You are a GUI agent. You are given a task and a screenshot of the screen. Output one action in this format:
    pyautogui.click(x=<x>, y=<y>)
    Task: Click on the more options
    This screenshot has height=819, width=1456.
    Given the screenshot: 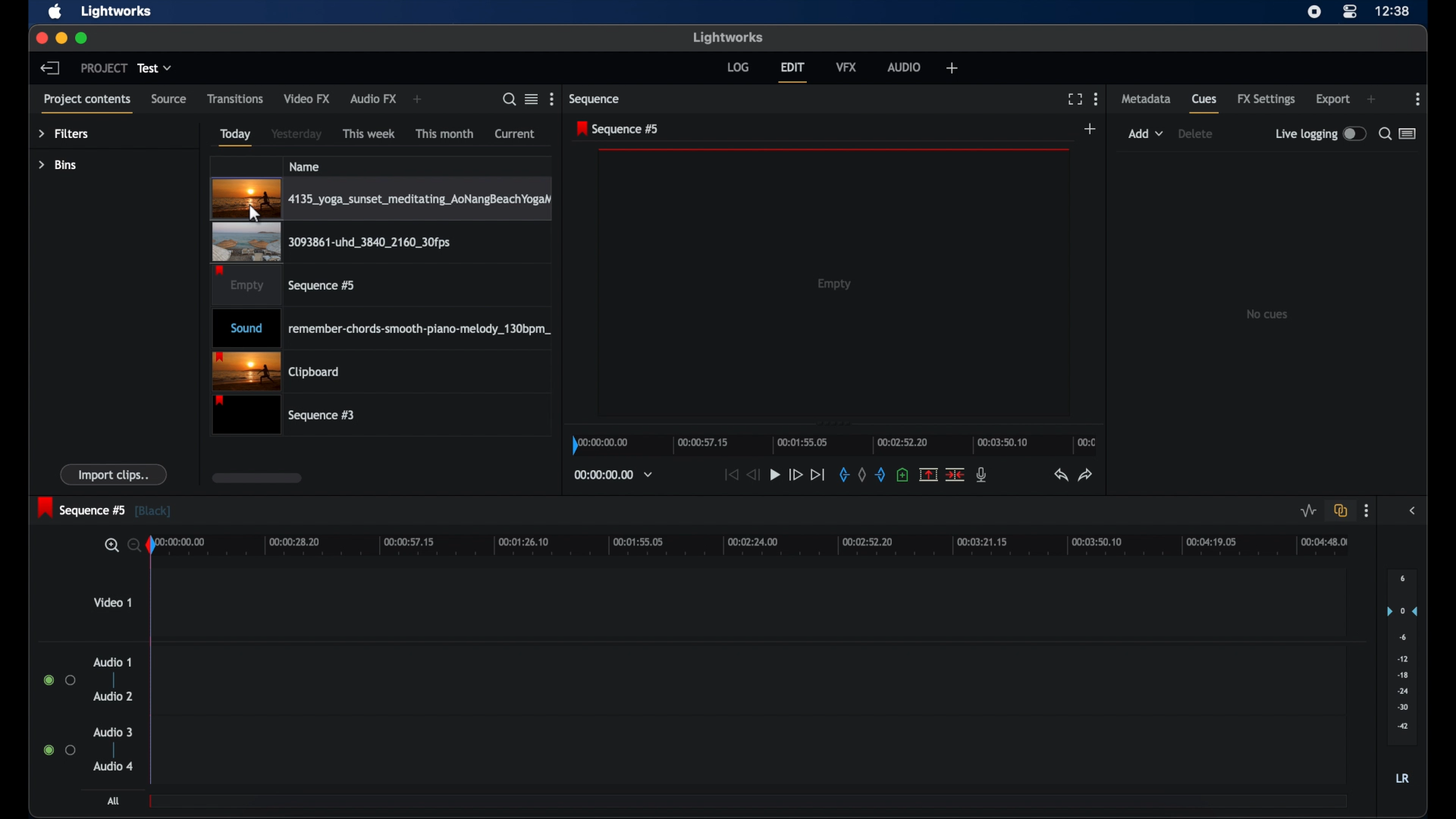 What is the action you would take?
    pyautogui.click(x=1367, y=511)
    